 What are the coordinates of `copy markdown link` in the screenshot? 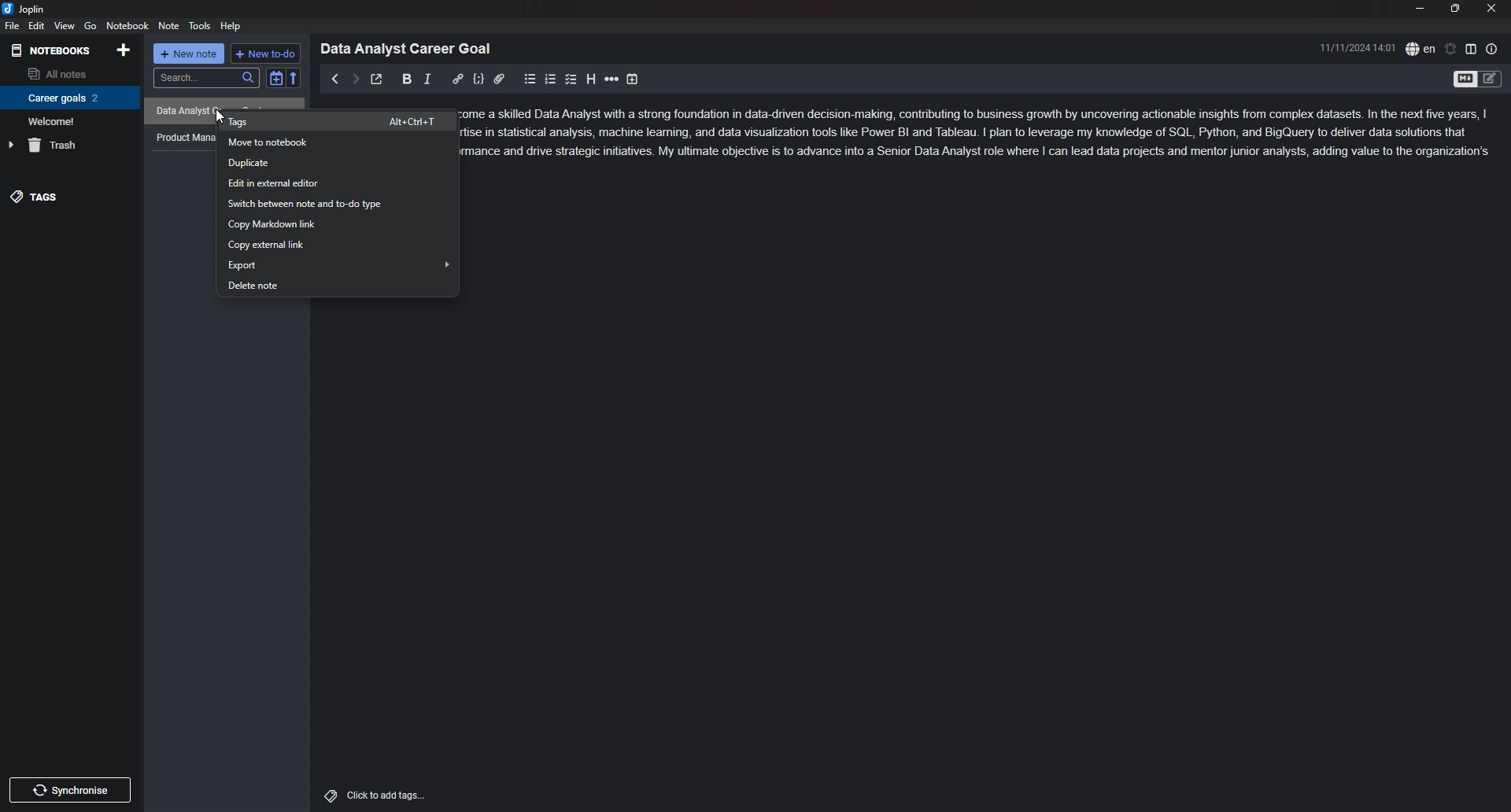 It's located at (337, 224).